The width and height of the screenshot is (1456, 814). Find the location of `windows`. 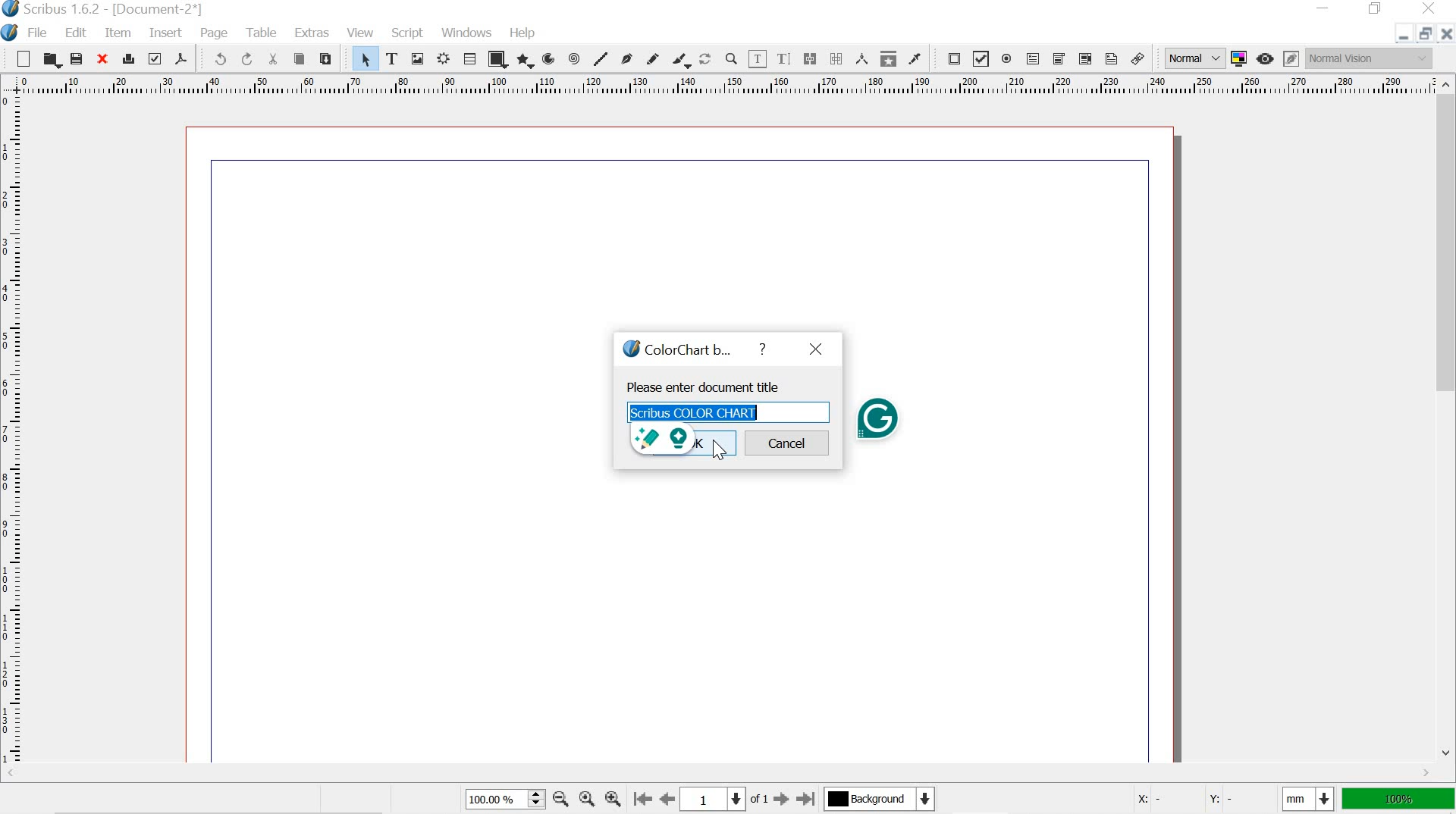

windows is located at coordinates (466, 32).